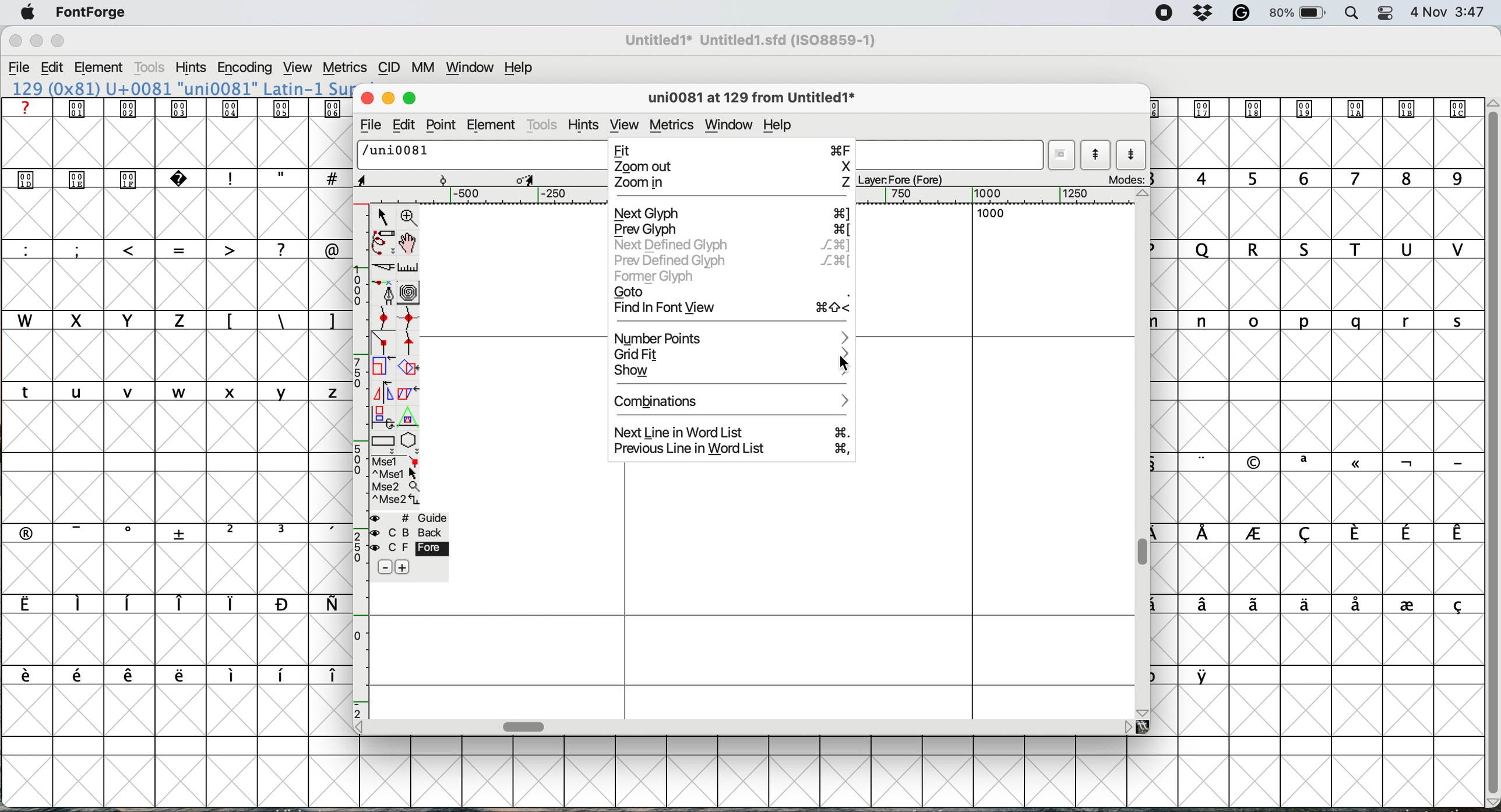 The width and height of the screenshot is (1501, 812). What do you see at coordinates (413, 549) in the screenshot?
I see `C F Fore` at bounding box center [413, 549].